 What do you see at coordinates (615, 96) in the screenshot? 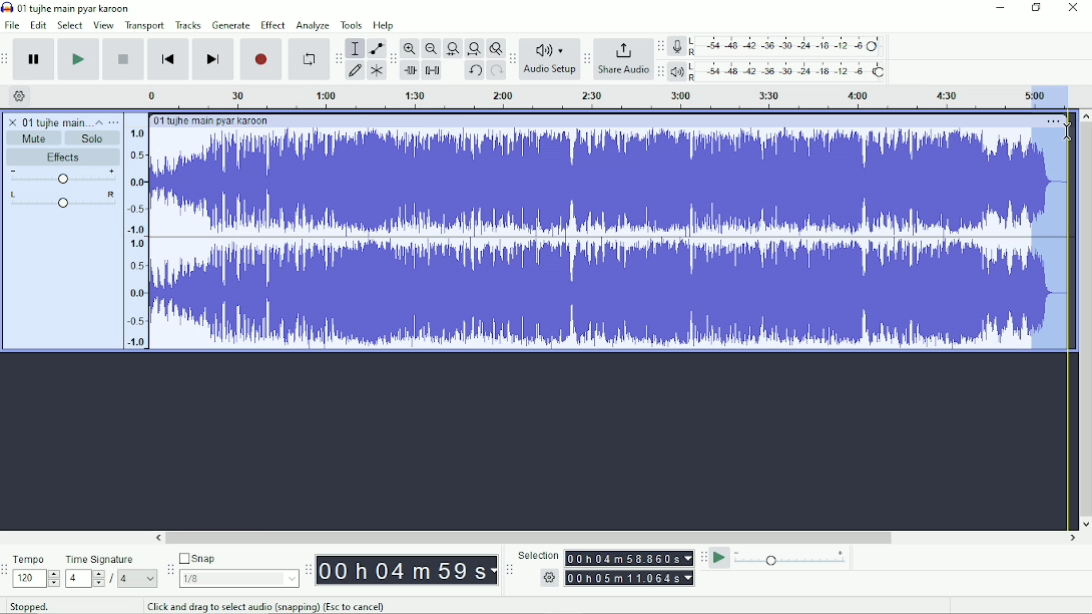
I see `Timeline` at bounding box center [615, 96].